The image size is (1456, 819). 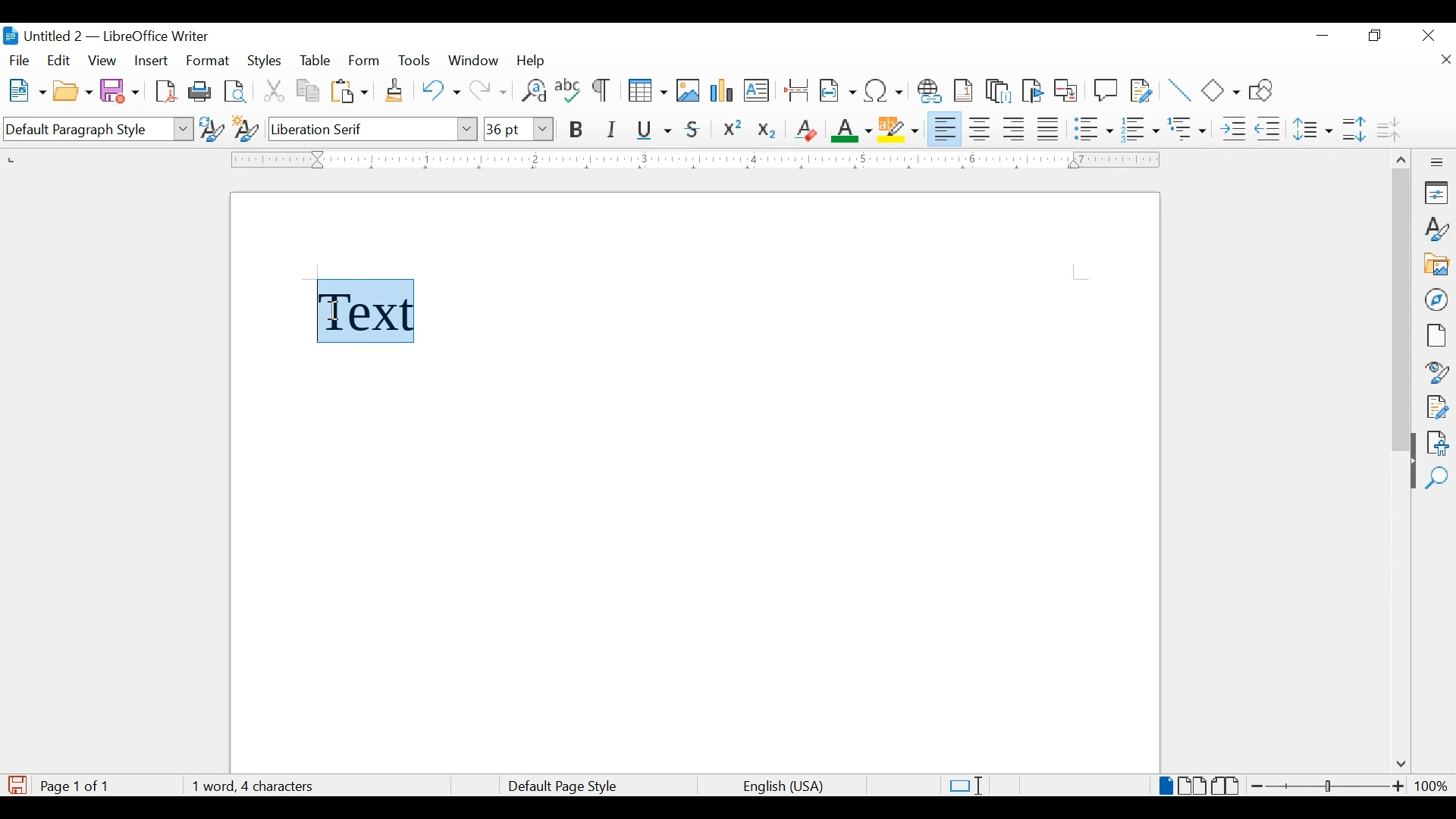 What do you see at coordinates (884, 89) in the screenshot?
I see `insert special characters` at bounding box center [884, 89].